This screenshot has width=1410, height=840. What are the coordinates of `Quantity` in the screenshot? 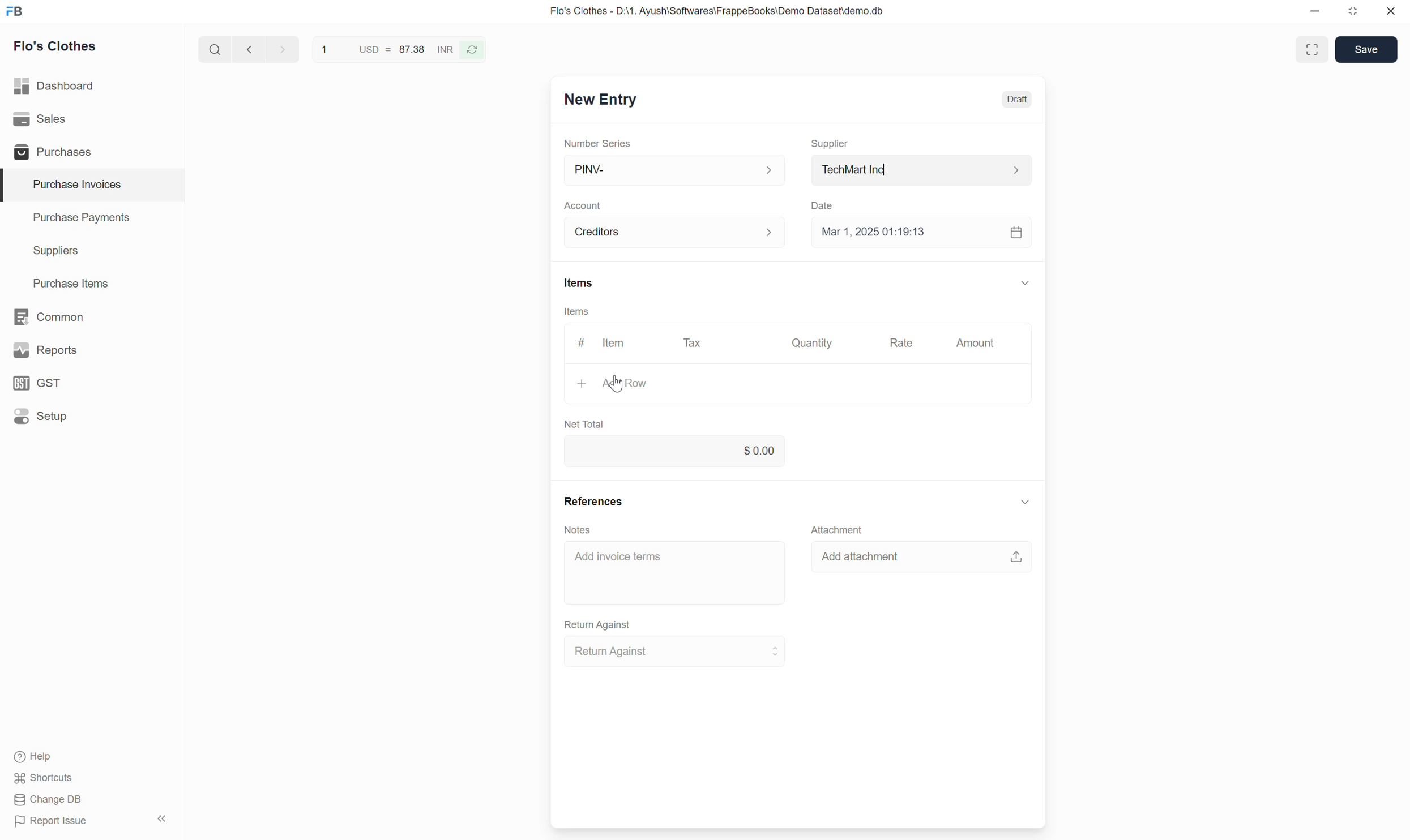 It's located at (815, 343).